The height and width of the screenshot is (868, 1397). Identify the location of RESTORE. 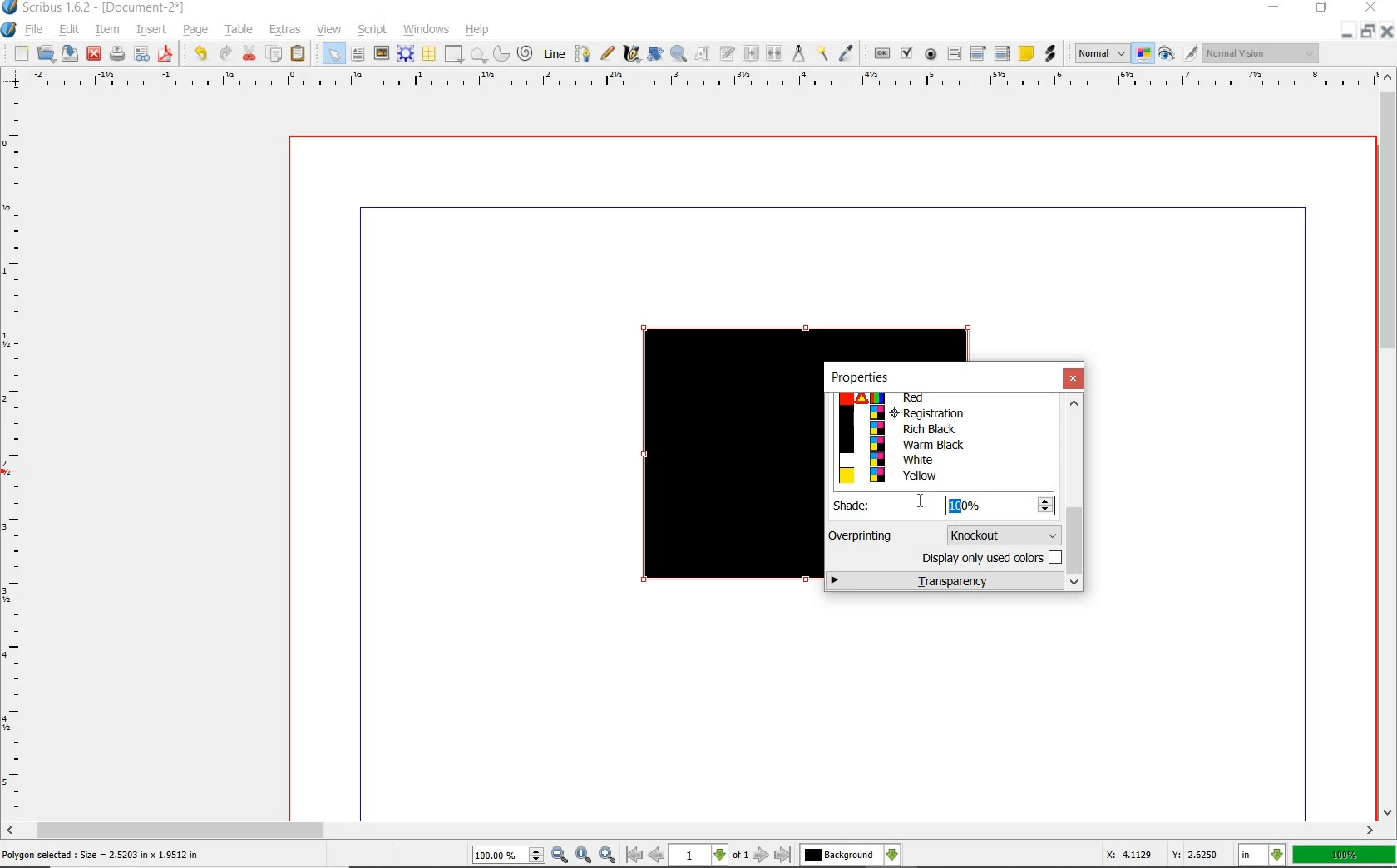
(1364, 34).